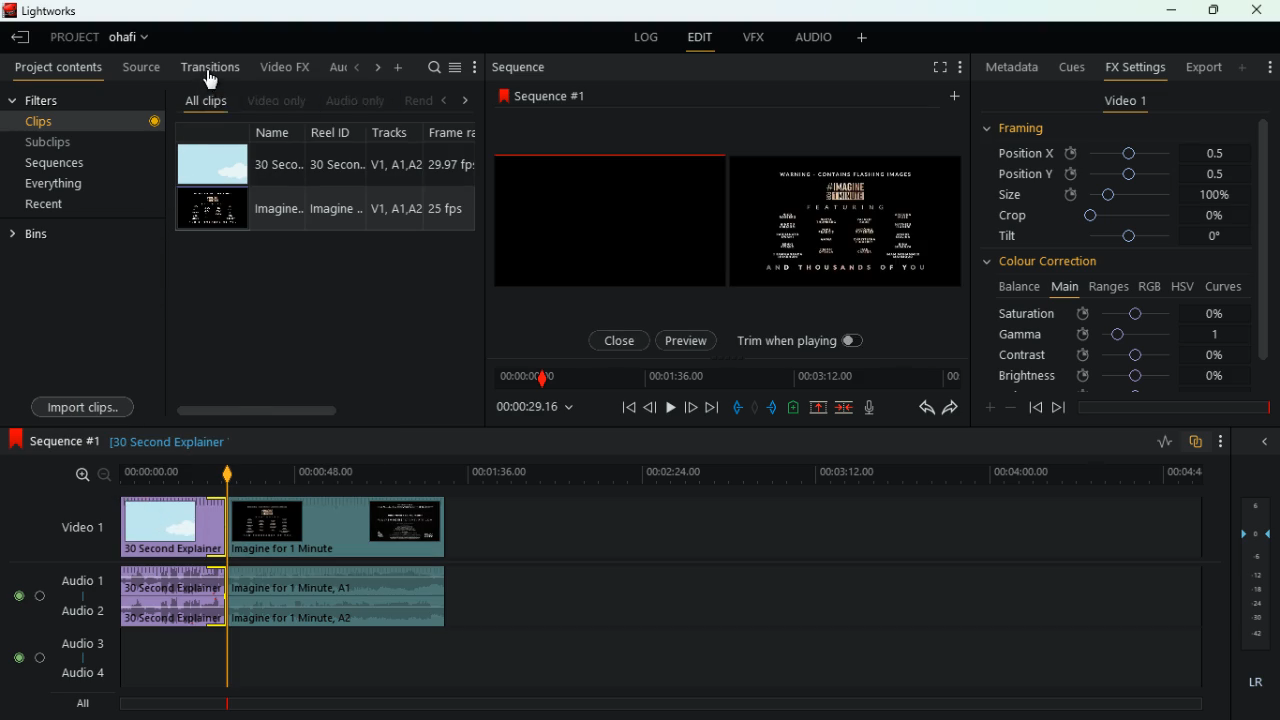  Describe the element at coordinates (279, 178) in the screenshot. I see `name` at that location.